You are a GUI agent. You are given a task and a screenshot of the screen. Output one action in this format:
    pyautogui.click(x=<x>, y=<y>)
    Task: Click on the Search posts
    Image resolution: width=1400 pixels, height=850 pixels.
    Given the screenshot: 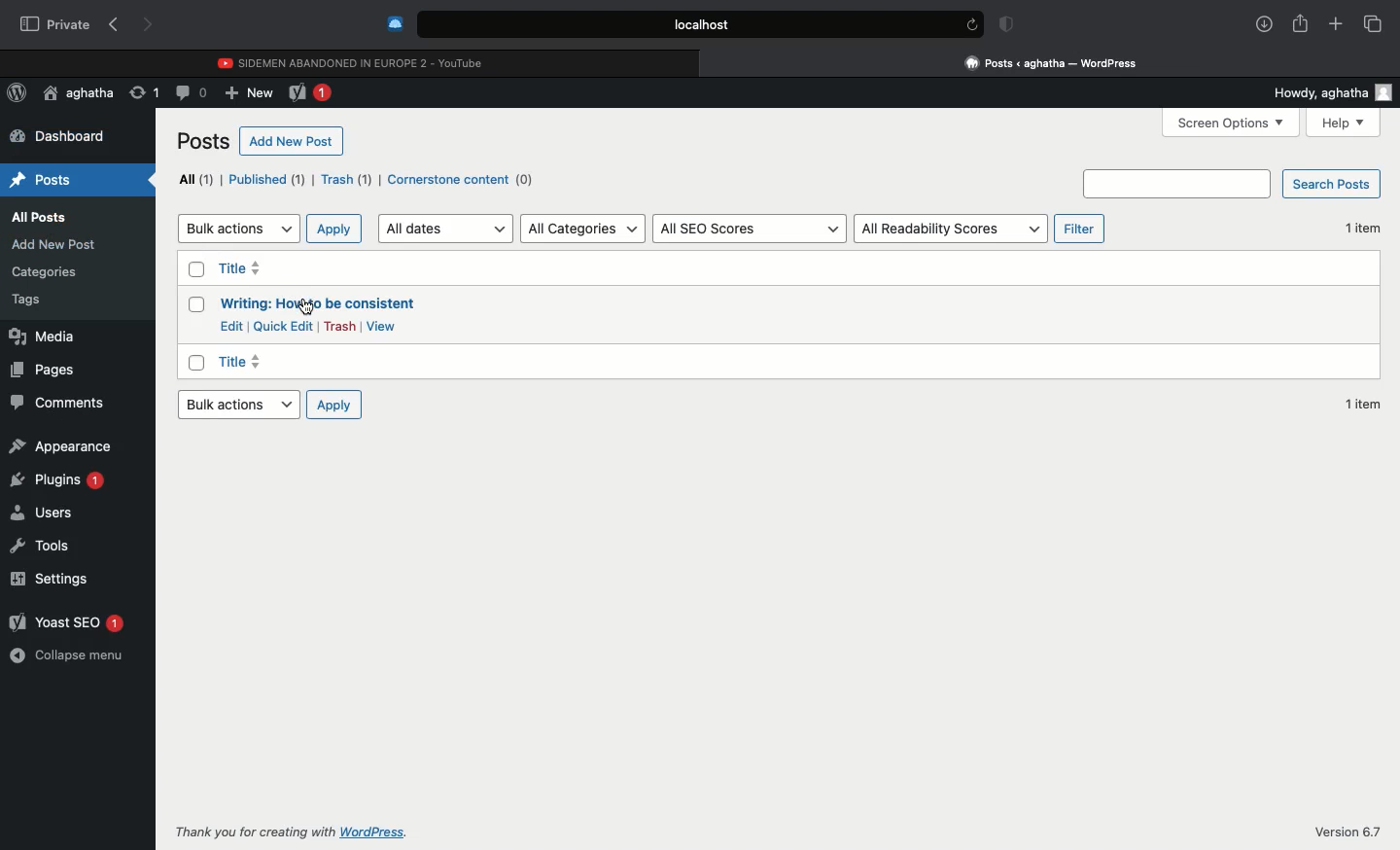 What is the action you would take?
    pyautogui.click(x=1235, y=184)
    